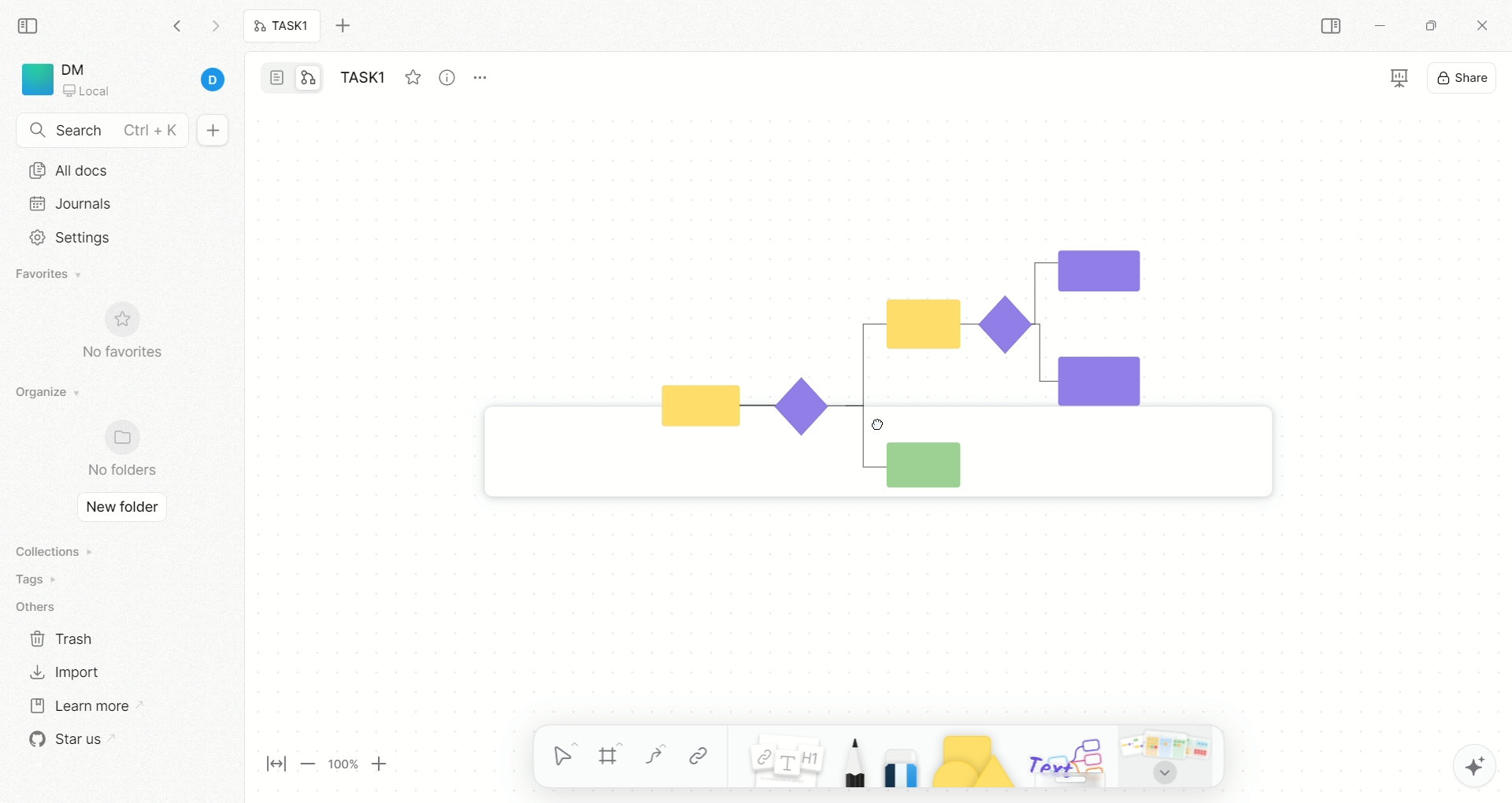 The height and width of the screenshot is (803, 1512). What do you see at coordinates (1485, 28) in the screenshot?
I see `close` at bounding box center [1485, 28].